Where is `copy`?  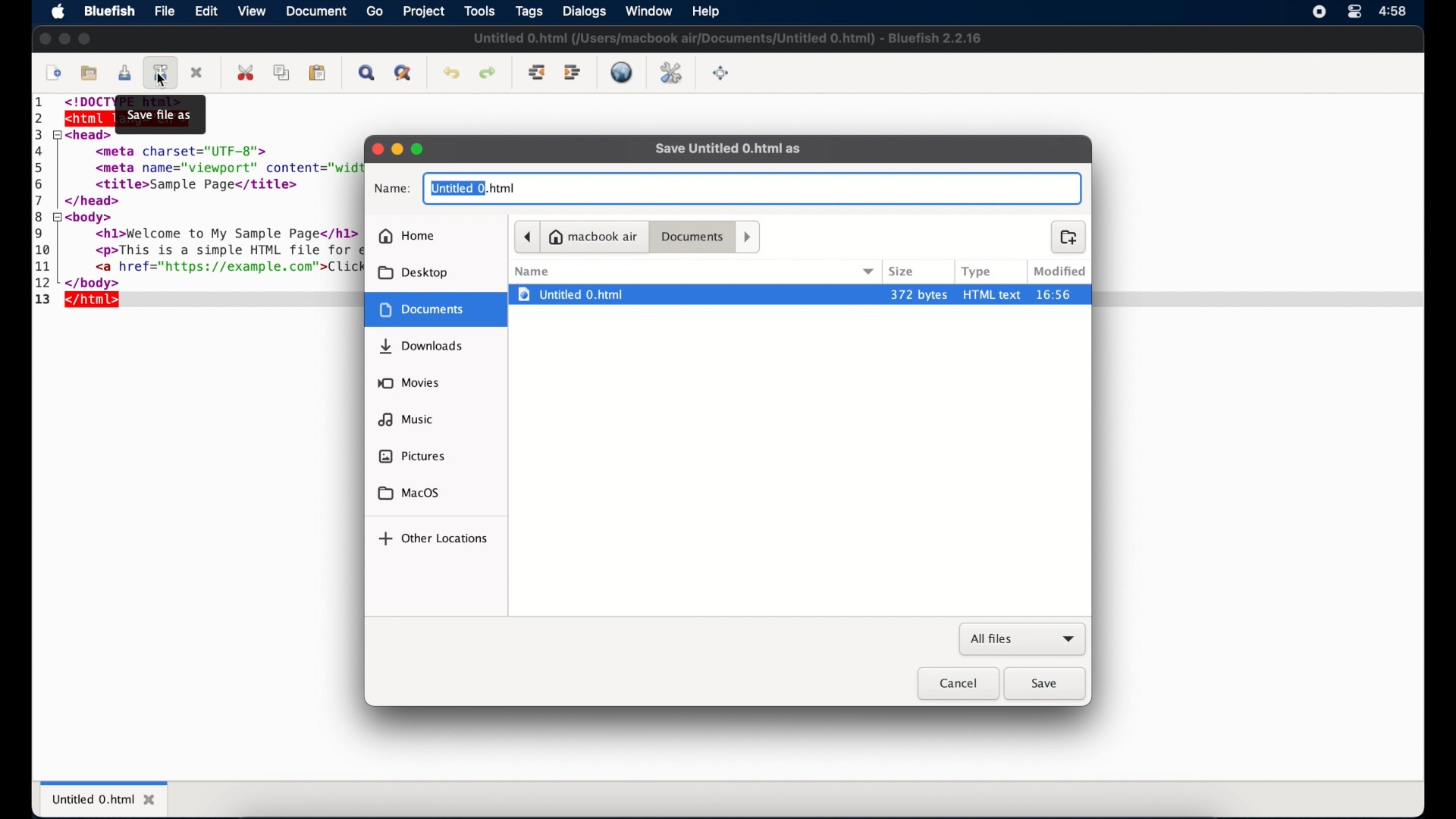
copy is located at coordinates (284, 73).